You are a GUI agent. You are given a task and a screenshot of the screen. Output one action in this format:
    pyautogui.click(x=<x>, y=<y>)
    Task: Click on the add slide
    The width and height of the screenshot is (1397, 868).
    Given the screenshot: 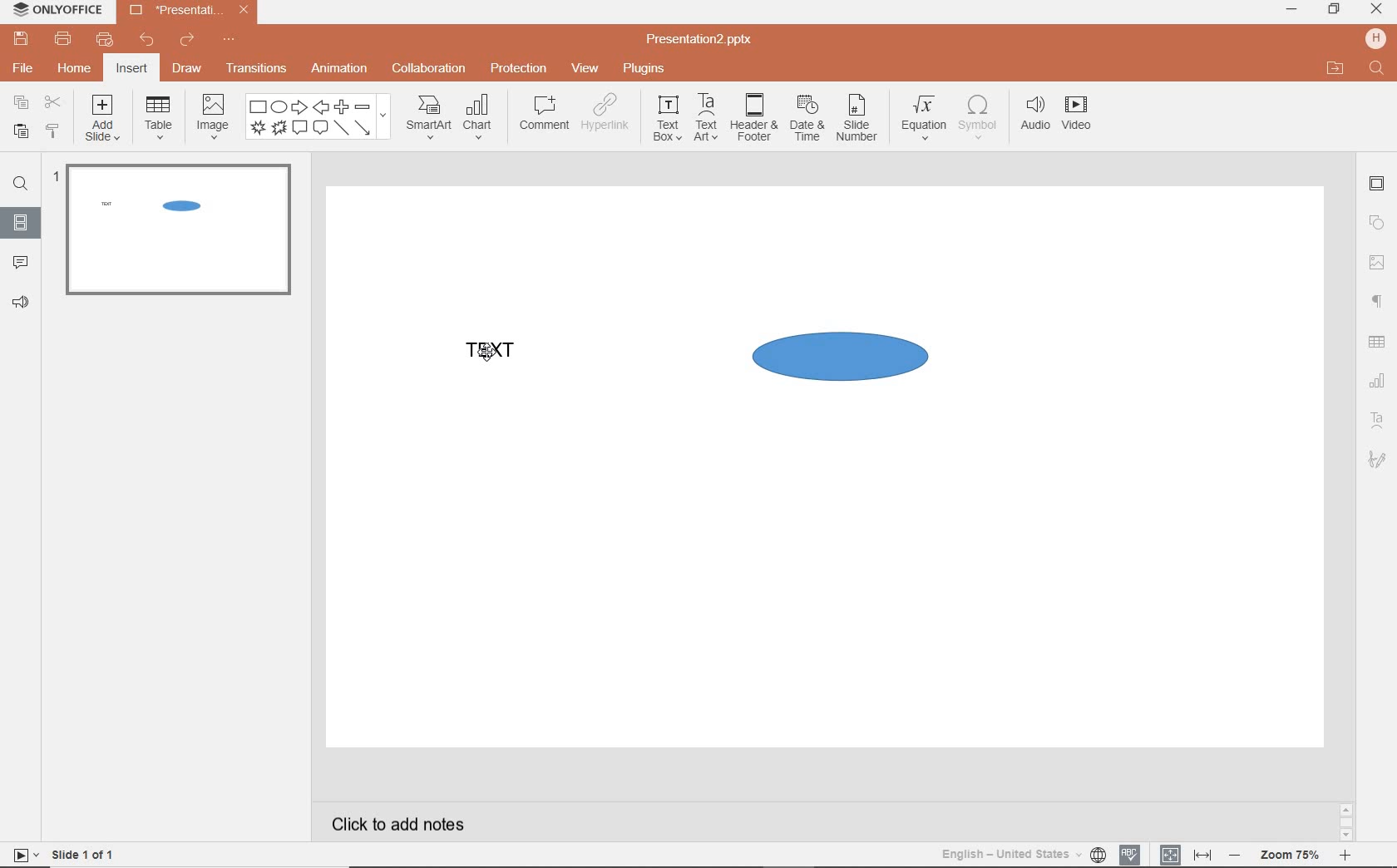 What is the action you would take?
    pyautogui.click(x=103, y=121)
    